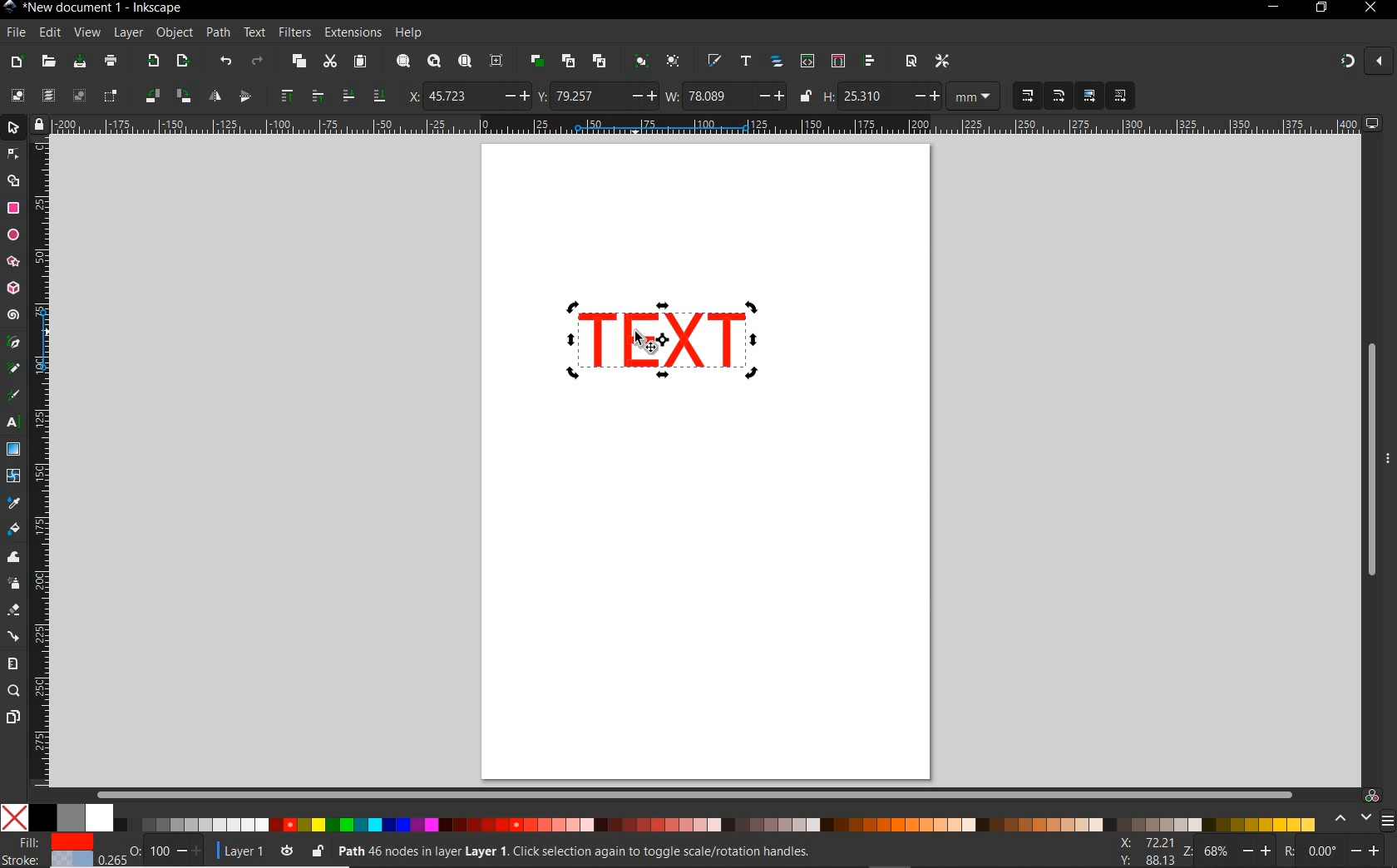 The height and width of the screenshot is (868, 1397). Describe the element at coordinates (361, 62) in the screenshot. I see `PASTE` at that location.